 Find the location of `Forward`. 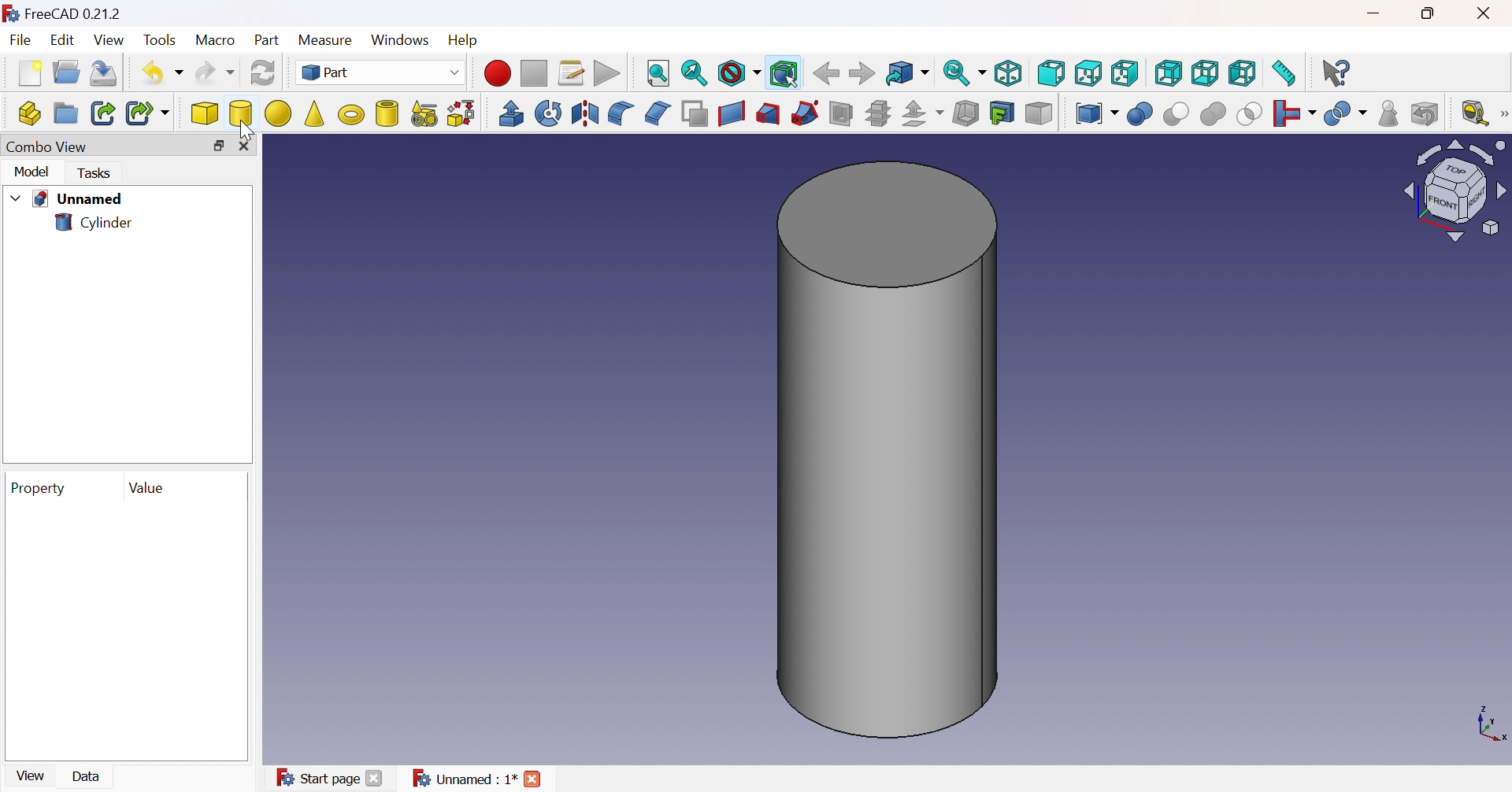

Forward is located at coordinates (864, 73).